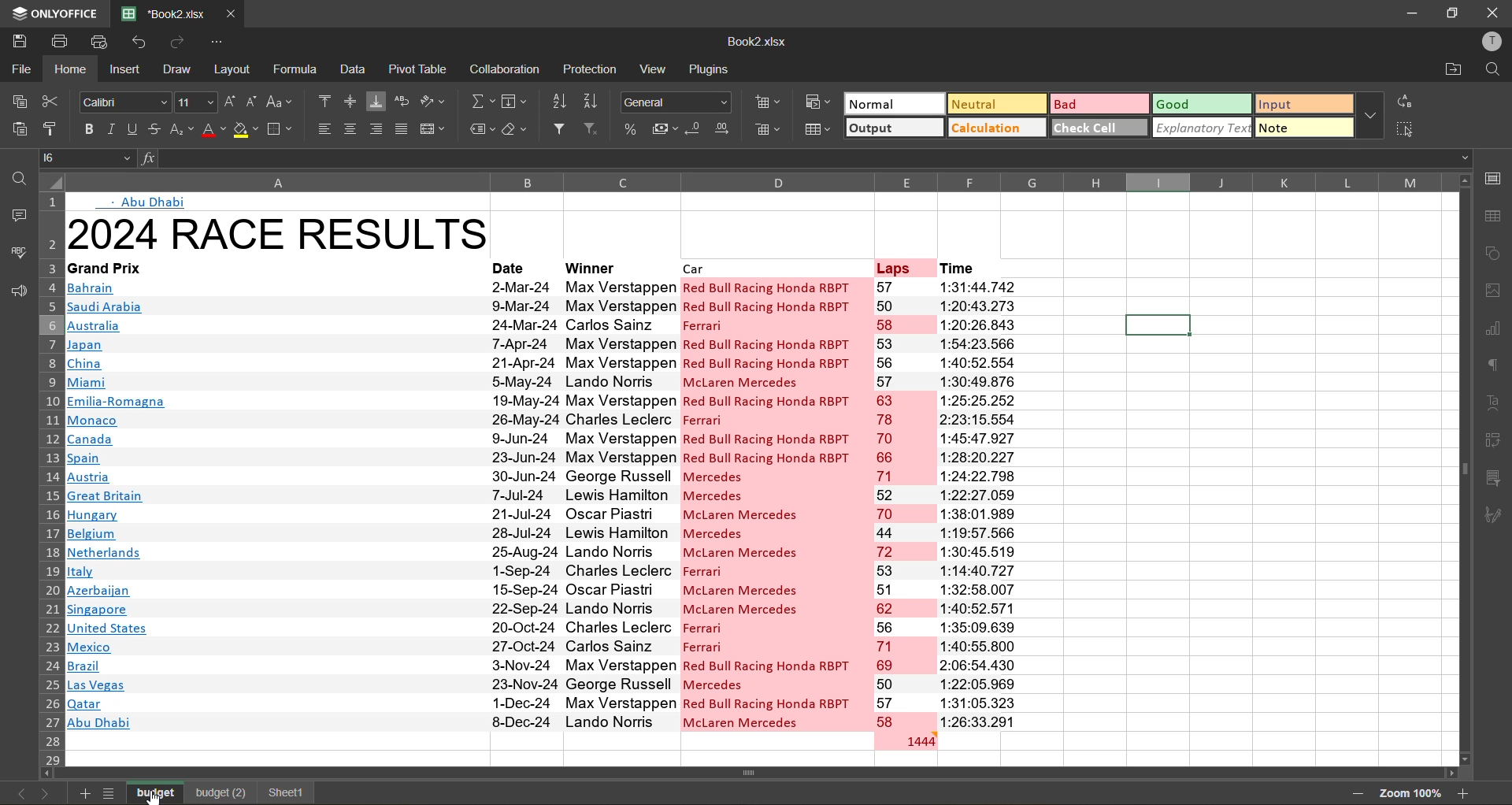 The height and width of the screenshot is (805, 1512). Describe the element at coordinates (140, 44) in the screenshot. I see `undo` at that location.